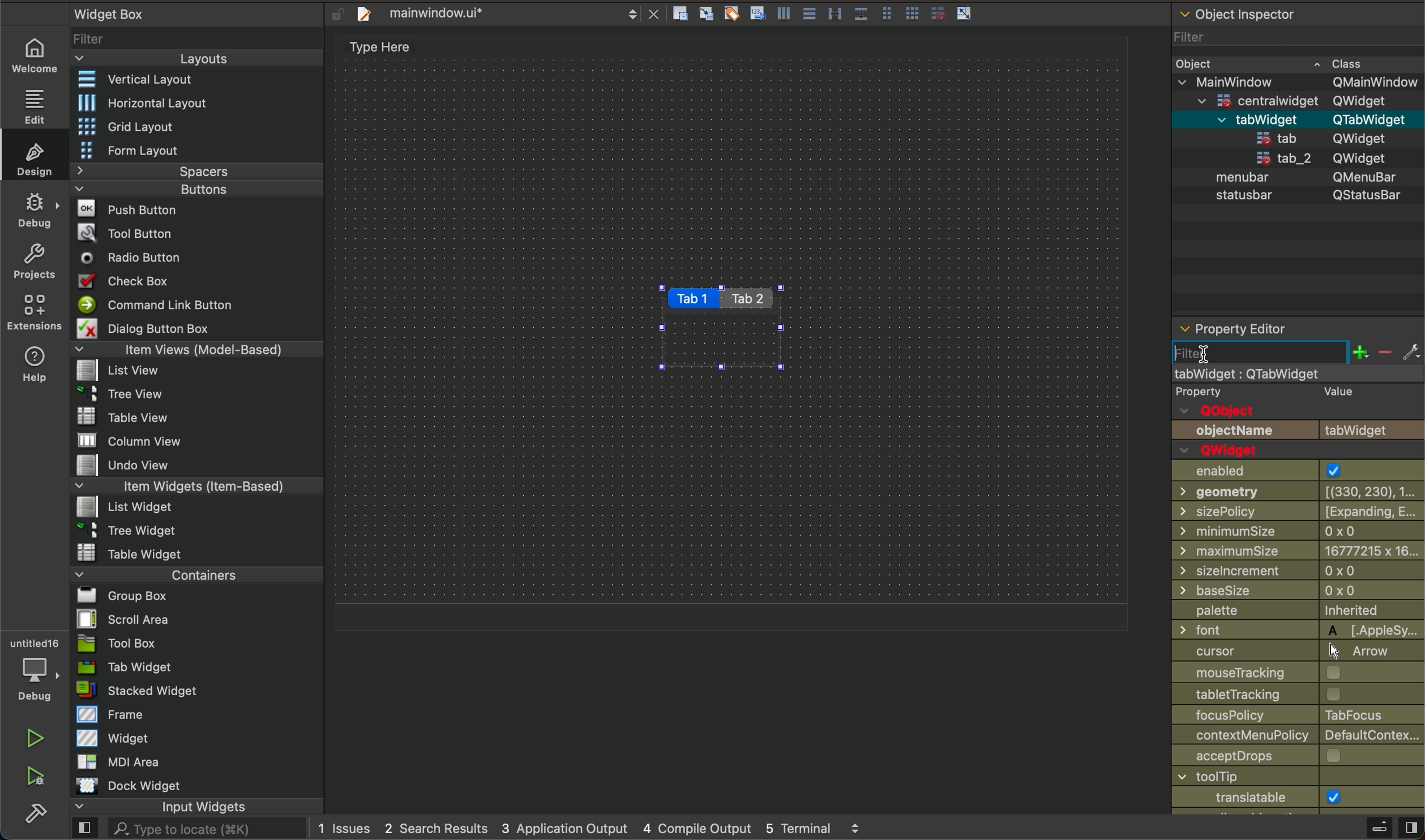 The height and width of the screenshot is (840, 1425). What do you see at coordinates (1299, 552) in the screenshot?
I see `` at bounding box center [1299, 552].